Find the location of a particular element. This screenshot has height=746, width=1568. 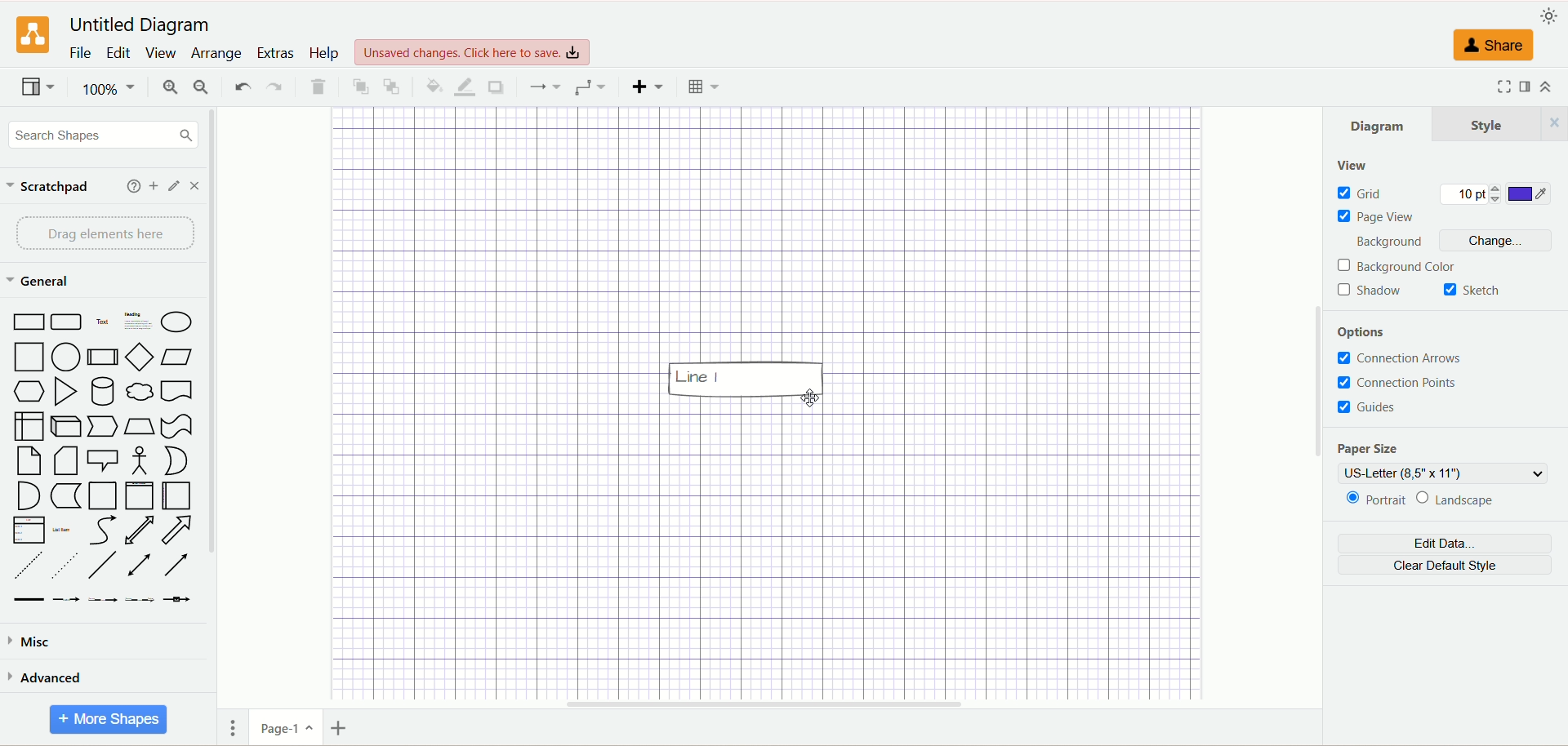

Trapezoid is located at coordinates (140, 428).